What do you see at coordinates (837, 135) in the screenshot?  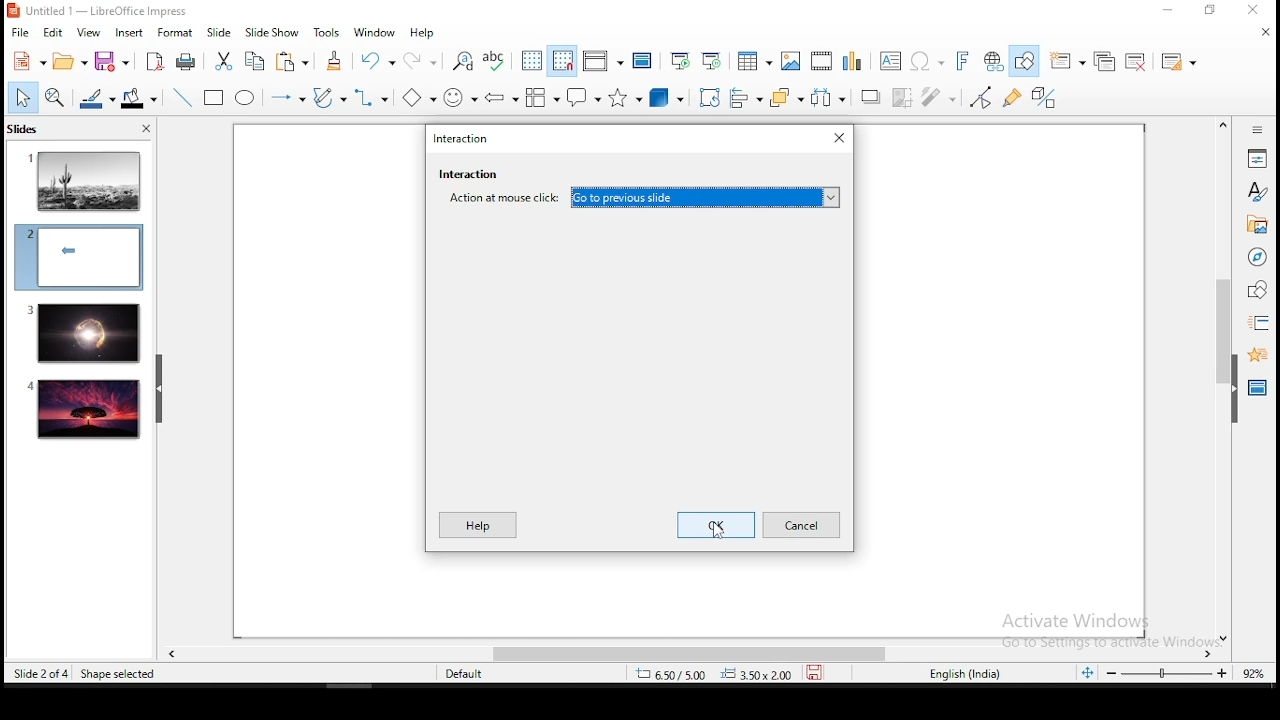 I see `close window` at bounding box center [837, 135].